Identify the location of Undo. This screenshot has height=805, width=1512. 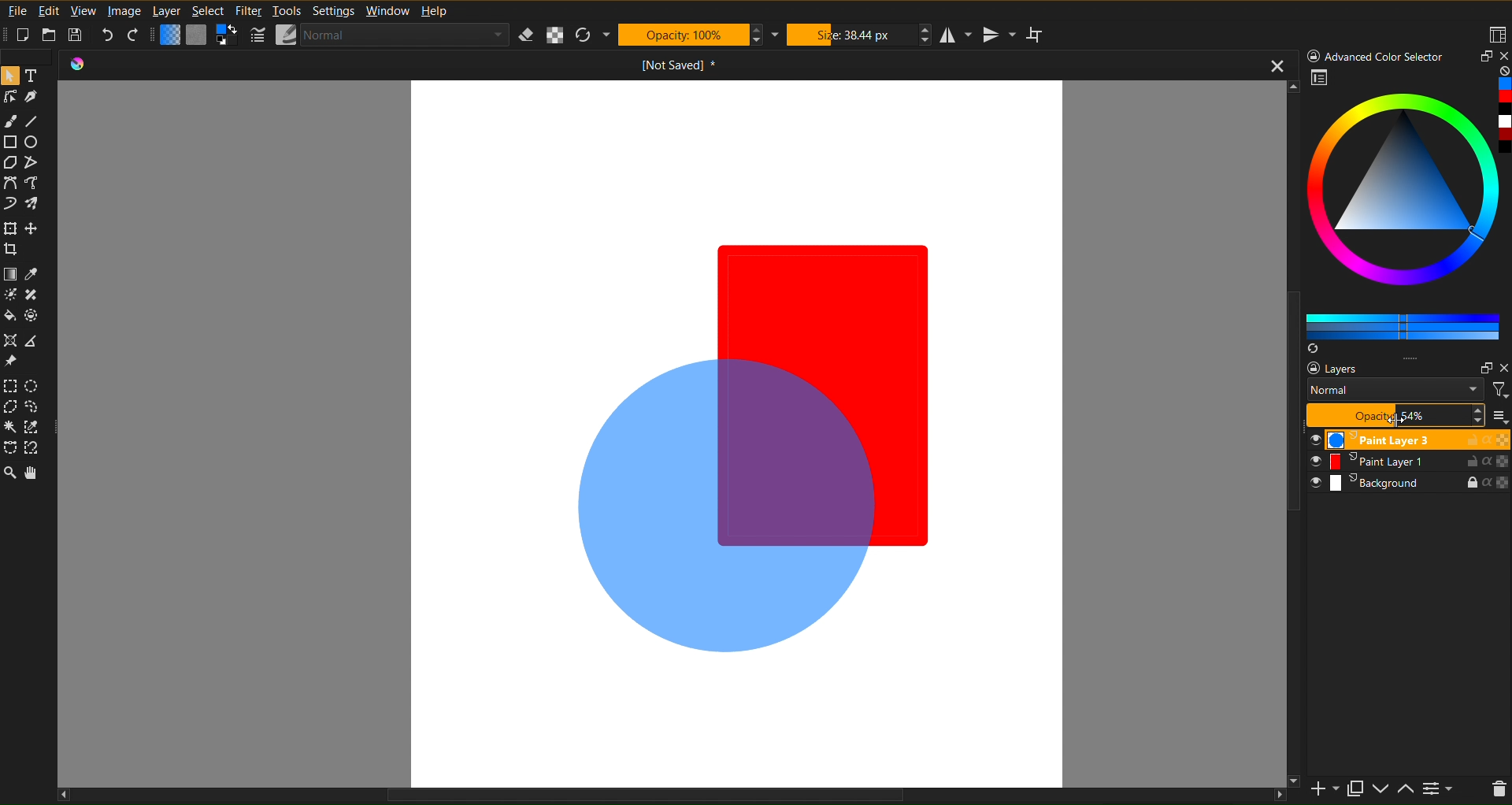
(106, 36).